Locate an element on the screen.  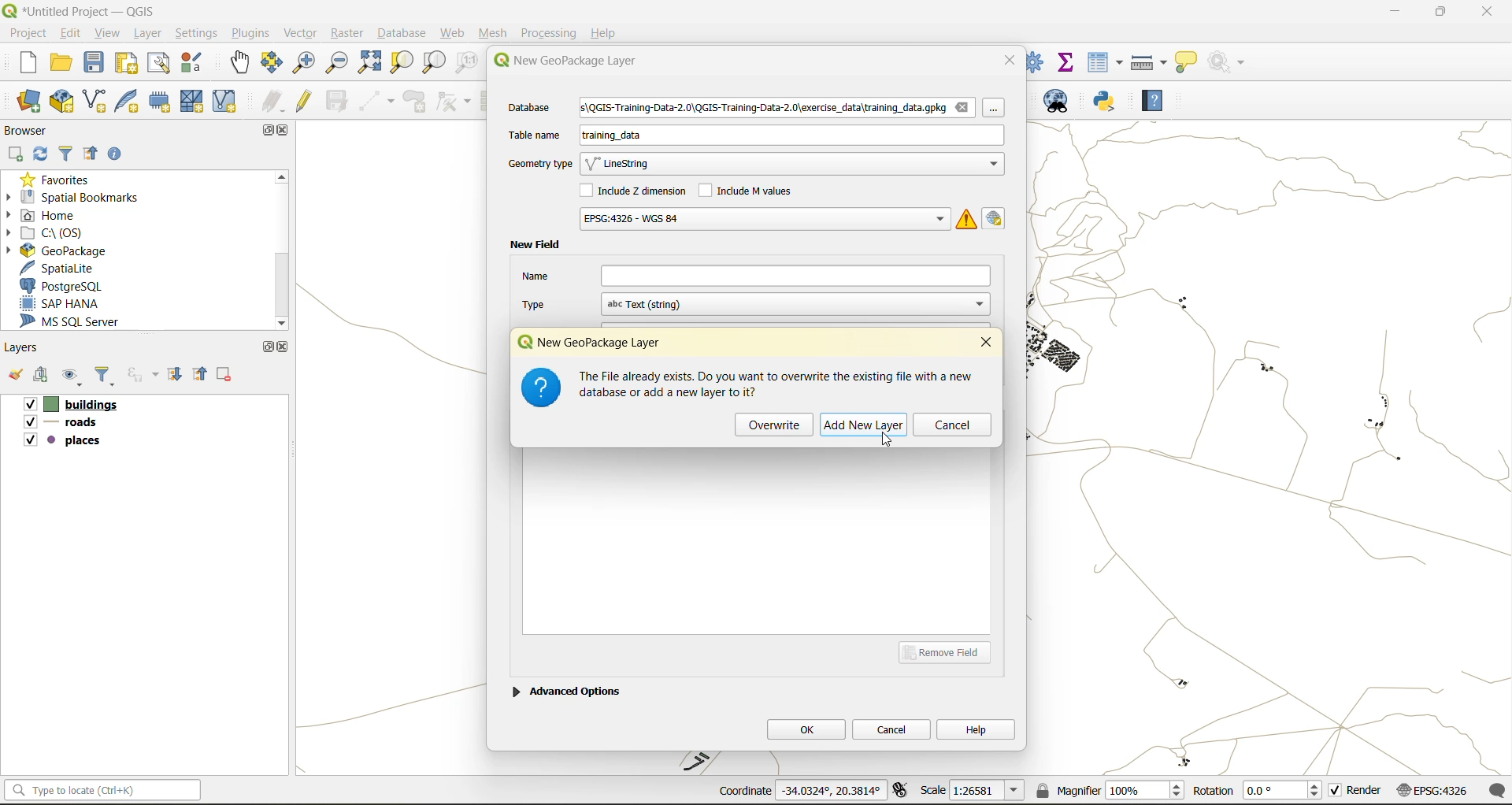
zoom selection is located at coordinates (404, 62).